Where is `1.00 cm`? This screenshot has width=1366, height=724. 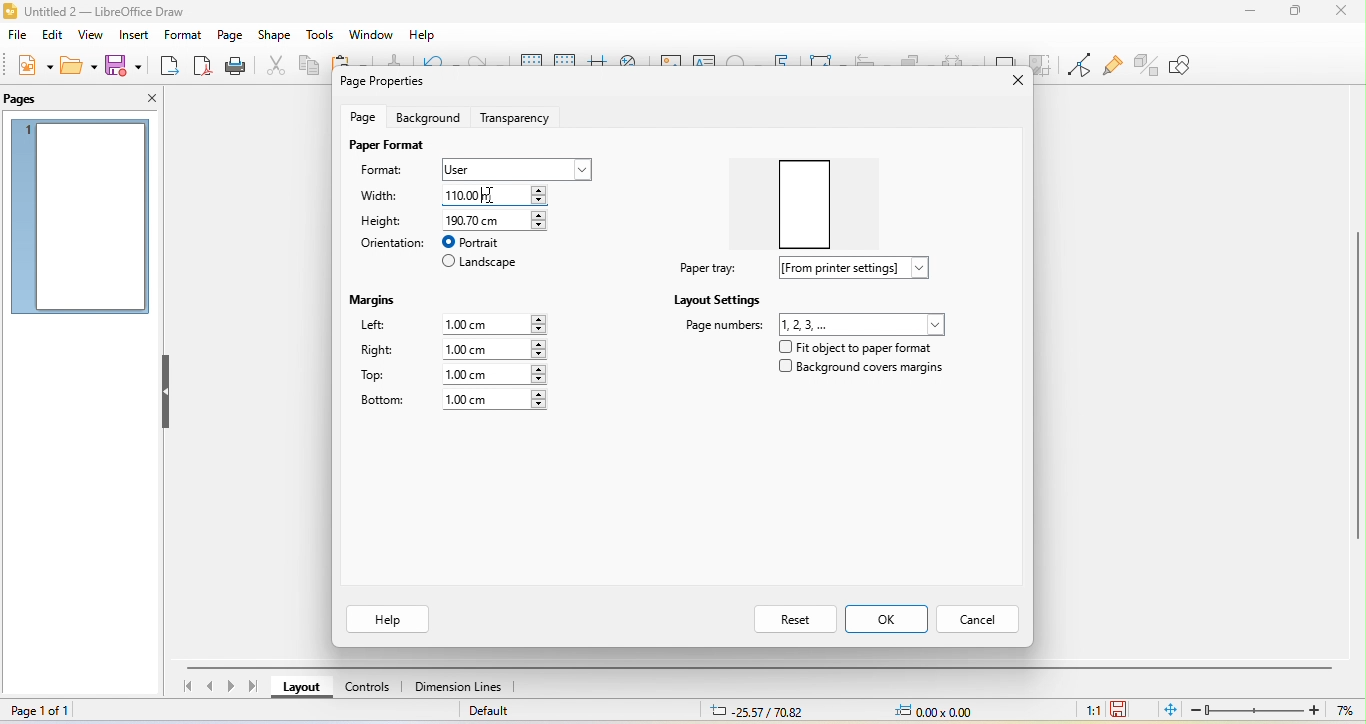 1.00 cm is located at coordinates (493, 349).